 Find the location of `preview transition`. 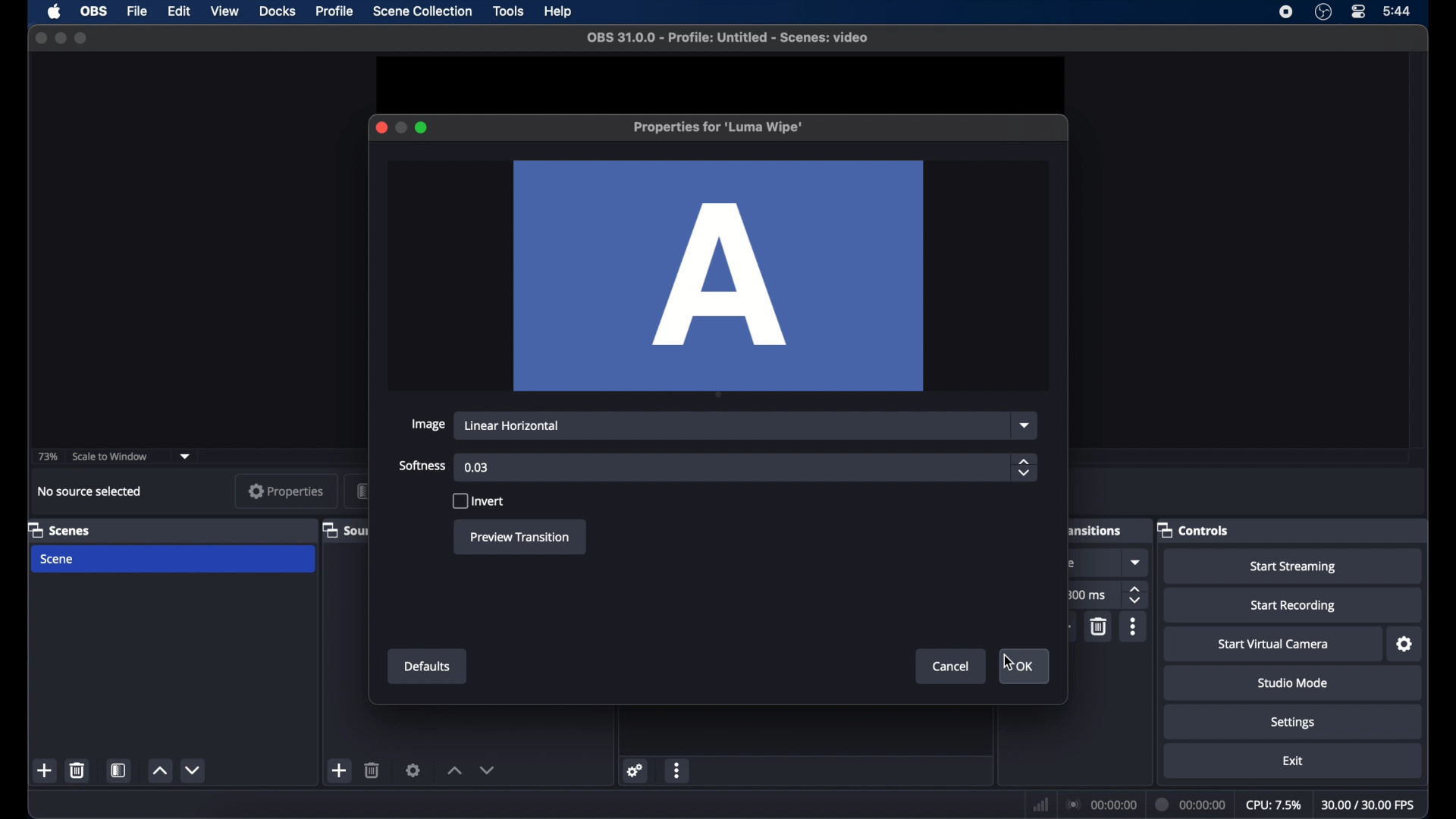

preview transition is located at coordinates (520, 538).